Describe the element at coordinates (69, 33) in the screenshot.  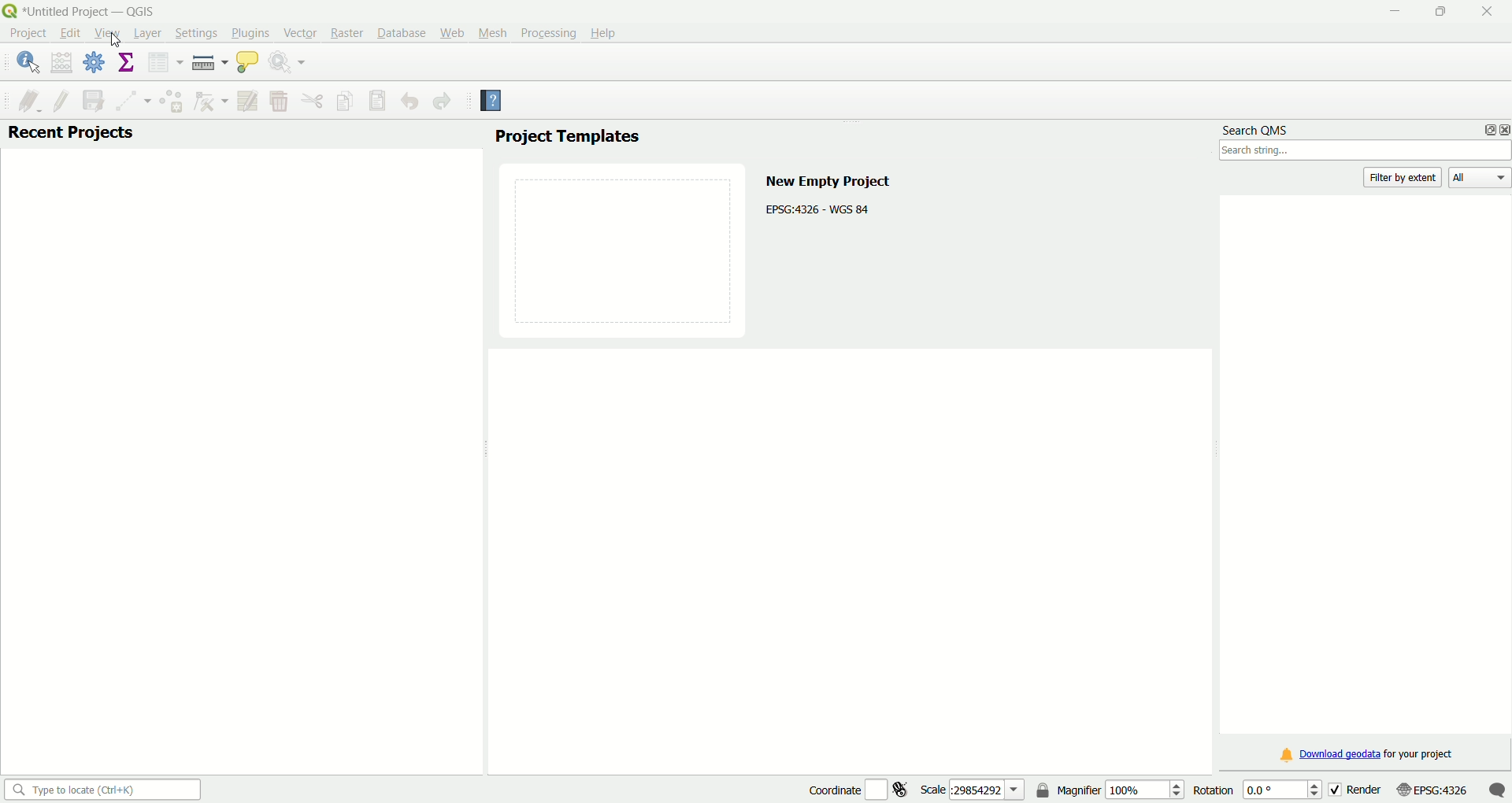
I see `Edit` at that location.